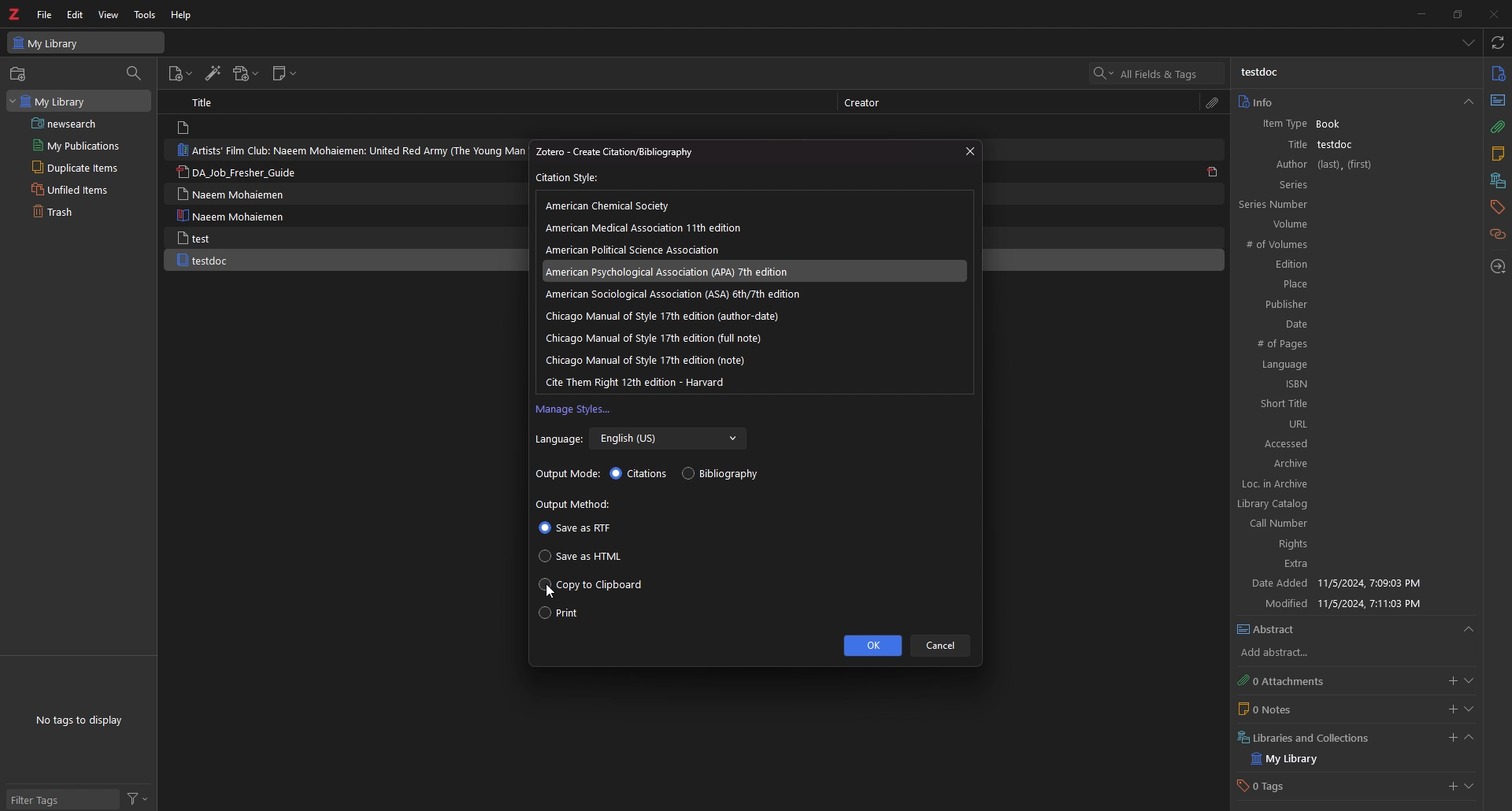  What do you see at coordinates (1496, 207) in the screenshot?
I see `tags` at bounding box center [1496, 207].